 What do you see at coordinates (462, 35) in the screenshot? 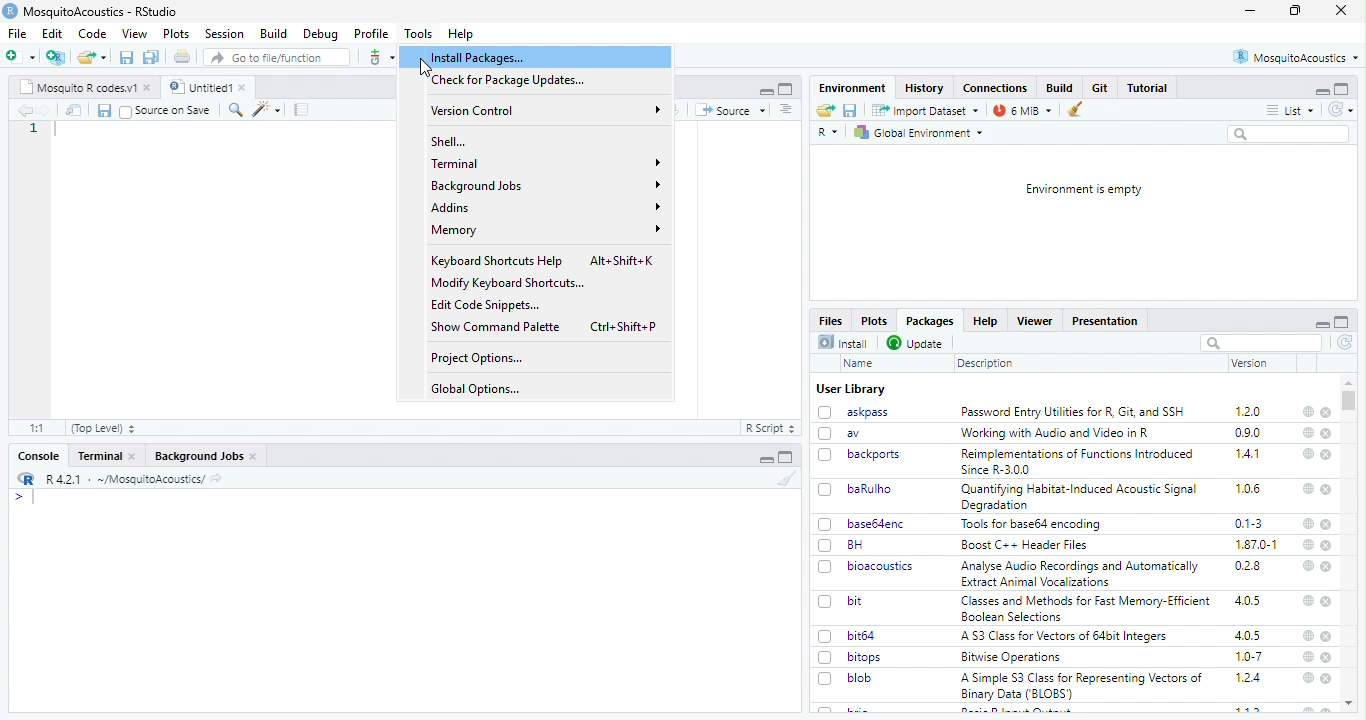
I see `Help` at bounding box center [462, 35].